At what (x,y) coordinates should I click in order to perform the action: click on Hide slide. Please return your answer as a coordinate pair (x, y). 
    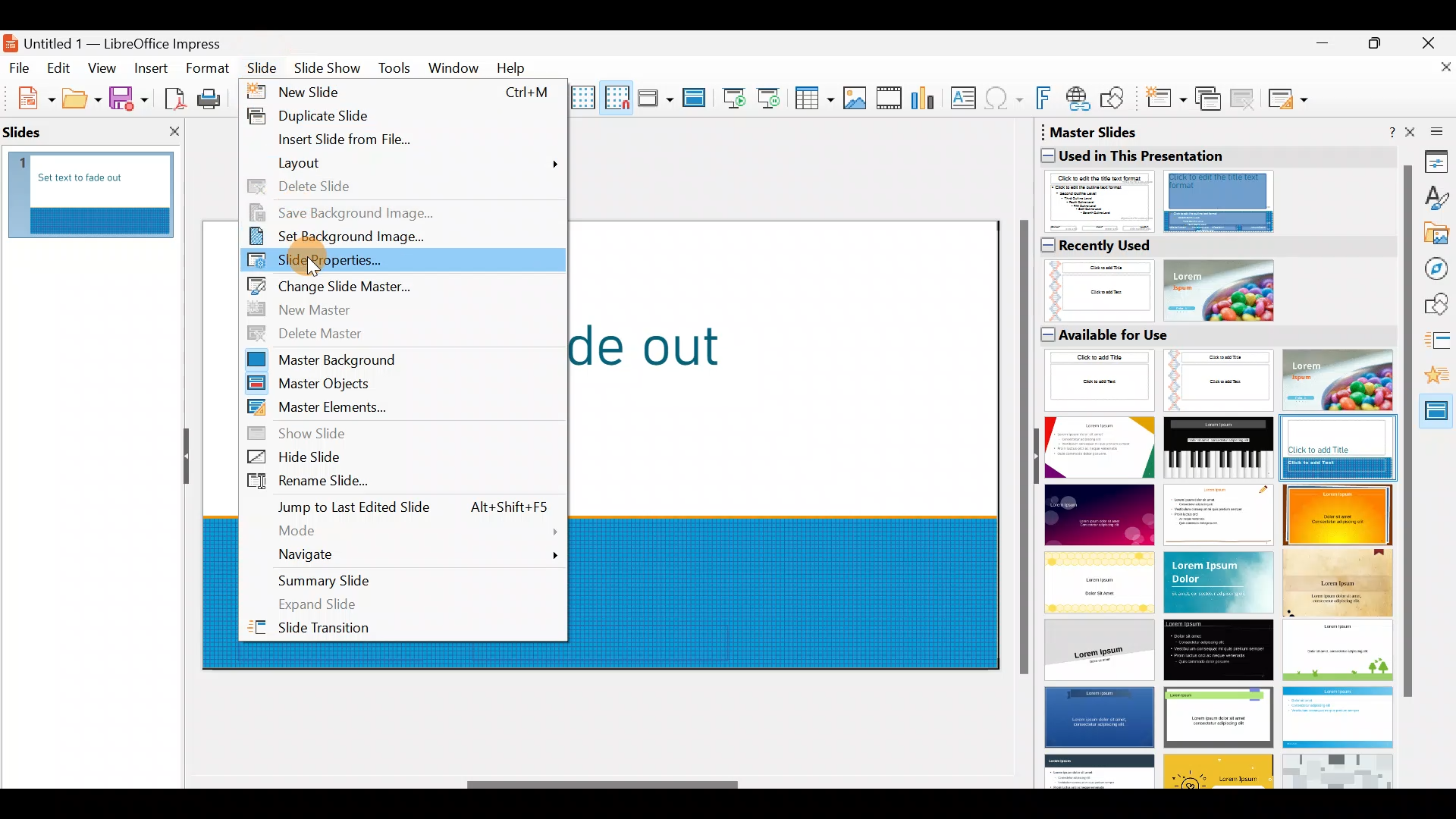
    Looking at the image, I should click on (409, 460).